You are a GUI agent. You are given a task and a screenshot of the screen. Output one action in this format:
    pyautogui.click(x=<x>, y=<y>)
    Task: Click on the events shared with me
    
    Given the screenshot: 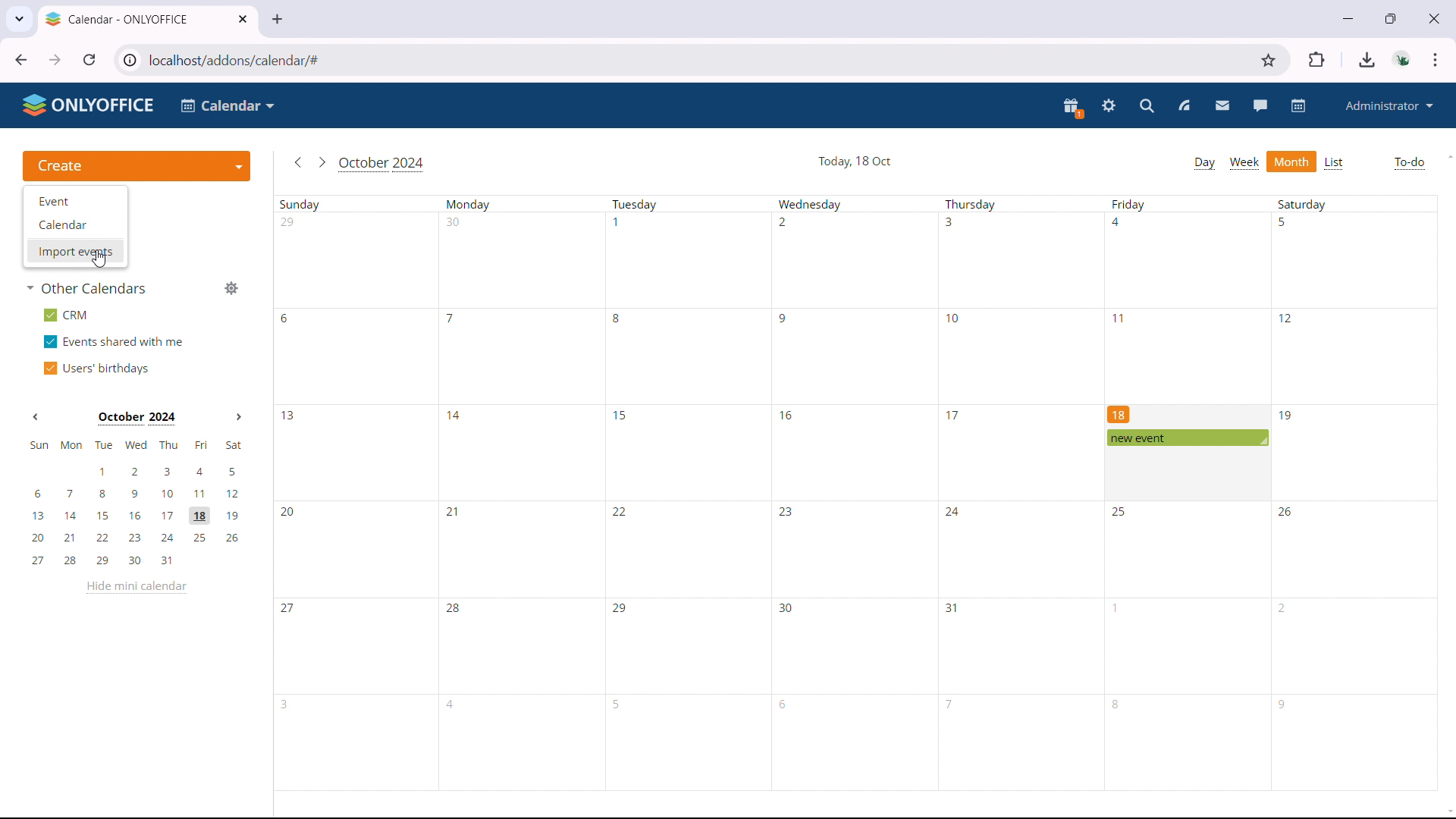 What is the action you would take?
    pyautogui.click(x=115, y=341)
    